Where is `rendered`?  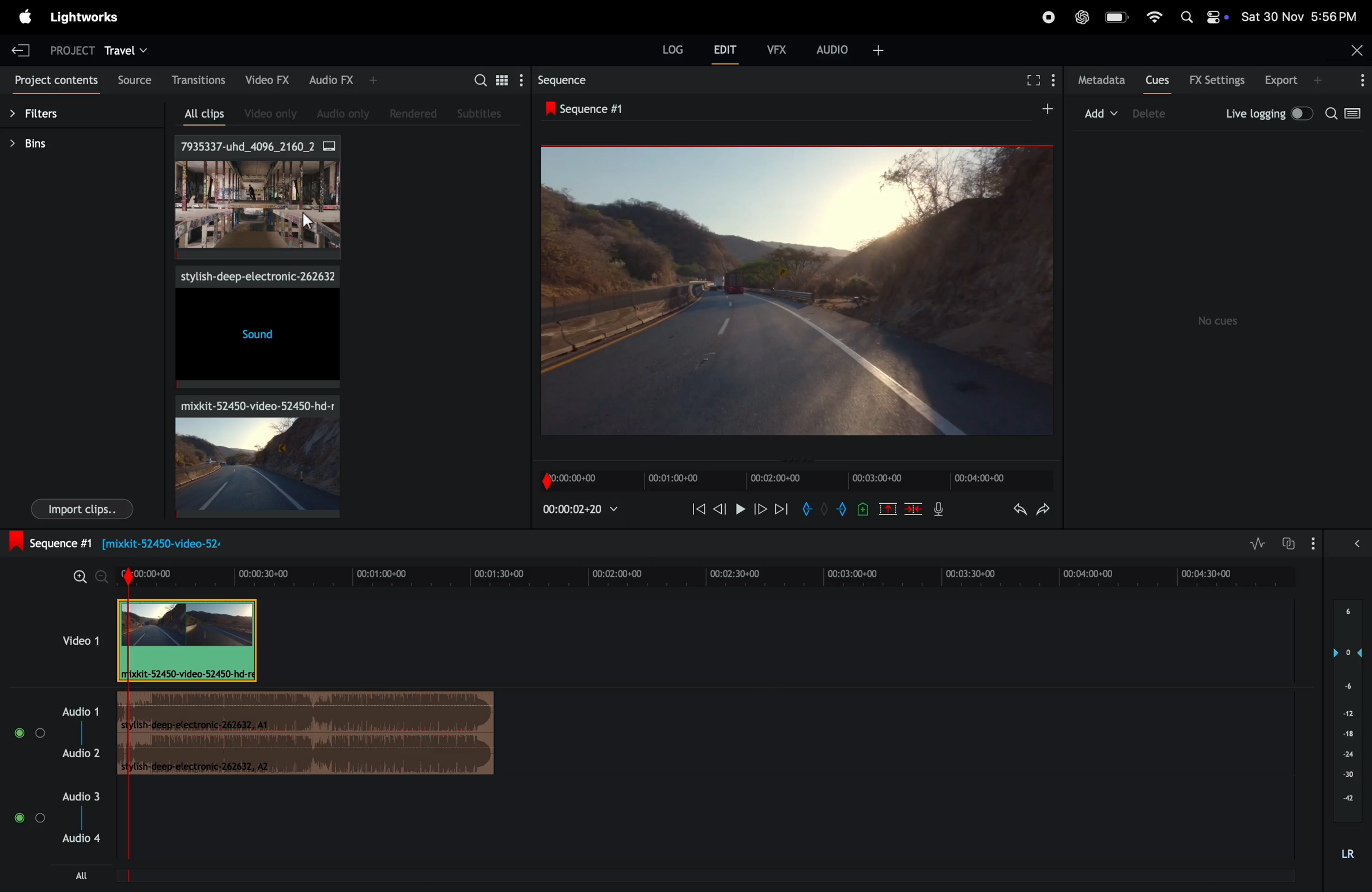
rendered is located at coordinates (417, 114).